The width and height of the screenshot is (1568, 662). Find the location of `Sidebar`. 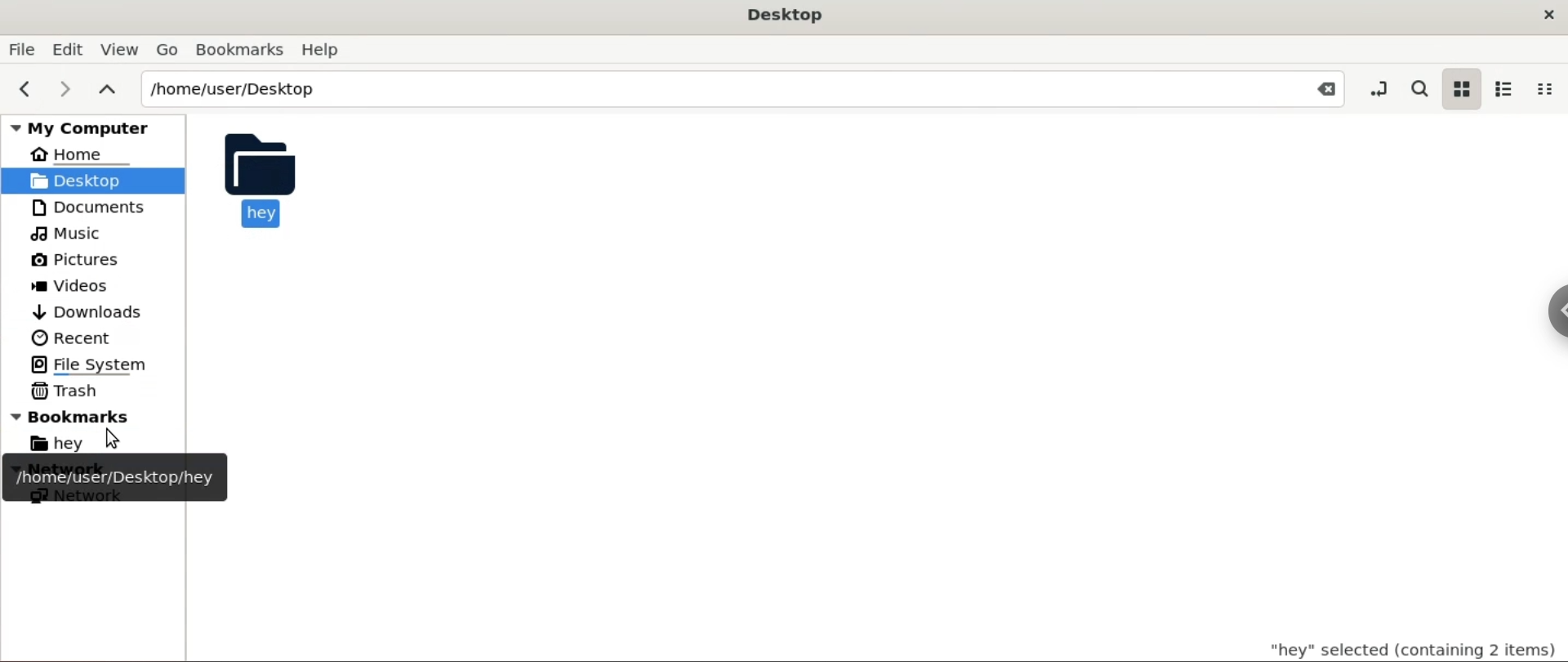

Sidebar is located at coordinates (1548, 326).